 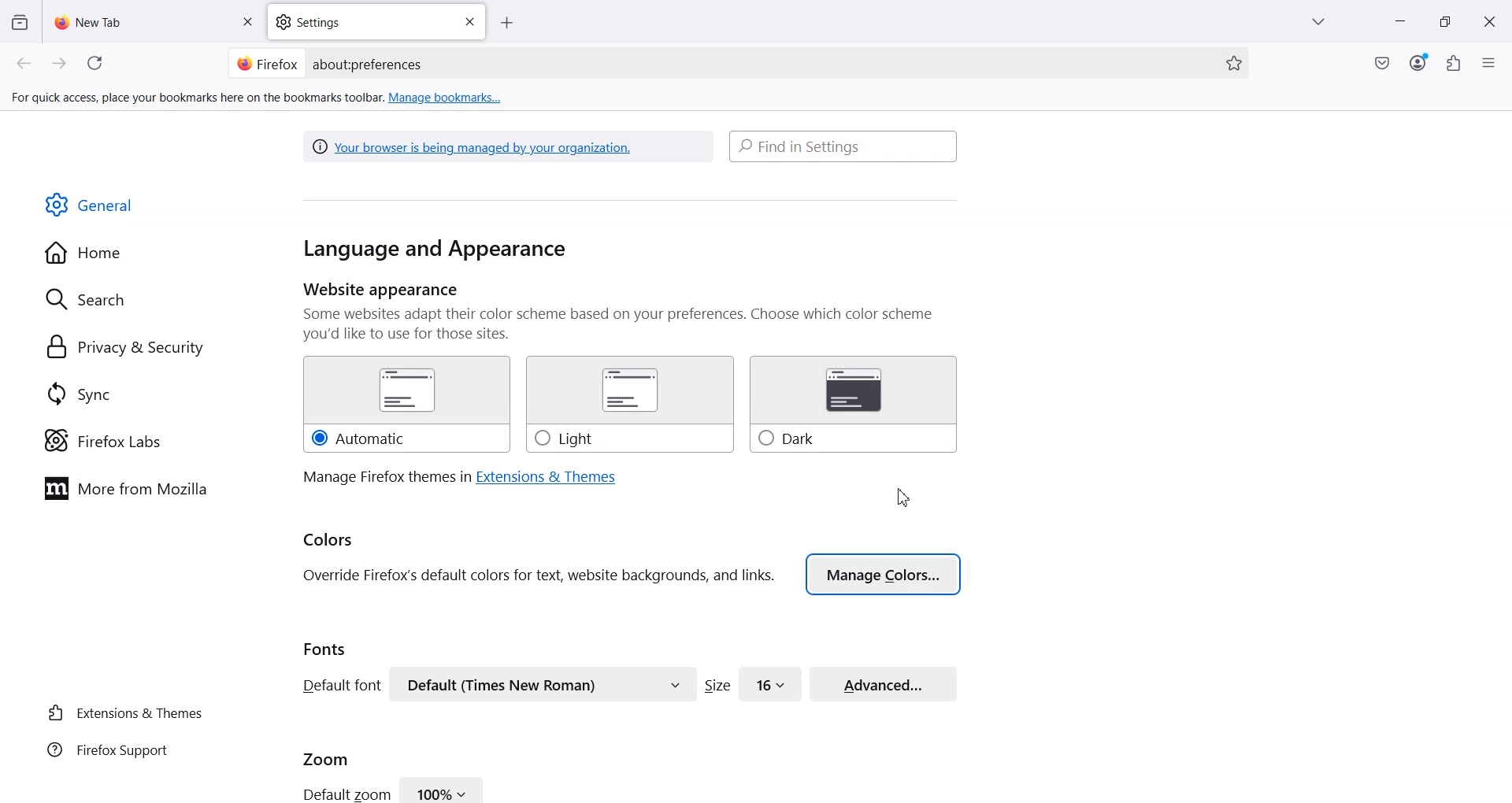 I want to click on @ Firefox Support, so click(x=108, y=749).